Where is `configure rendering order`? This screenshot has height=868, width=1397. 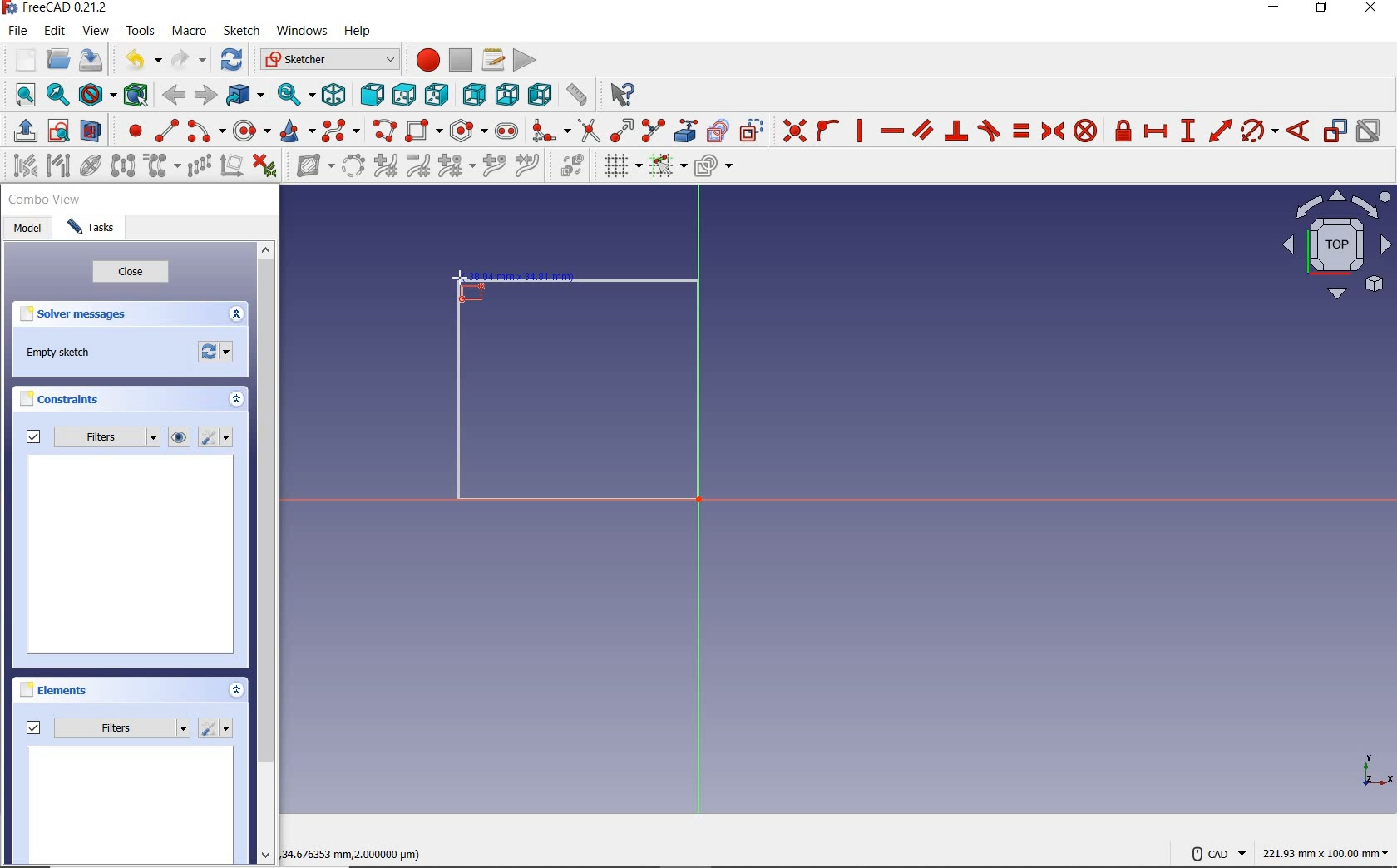
configure rendering order is located at coordinates (713, 165).